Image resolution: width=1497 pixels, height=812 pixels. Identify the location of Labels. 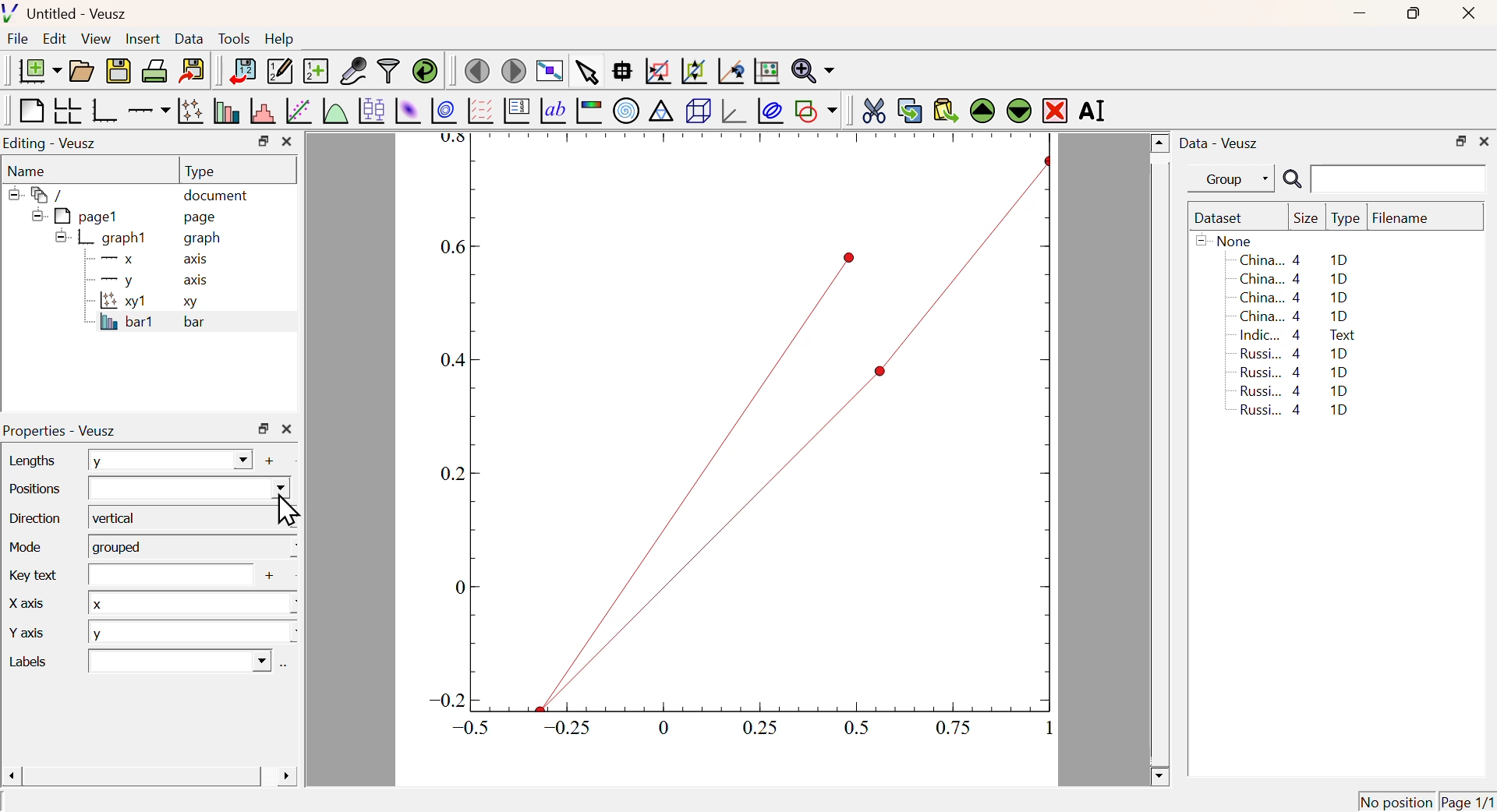
(43, 661).